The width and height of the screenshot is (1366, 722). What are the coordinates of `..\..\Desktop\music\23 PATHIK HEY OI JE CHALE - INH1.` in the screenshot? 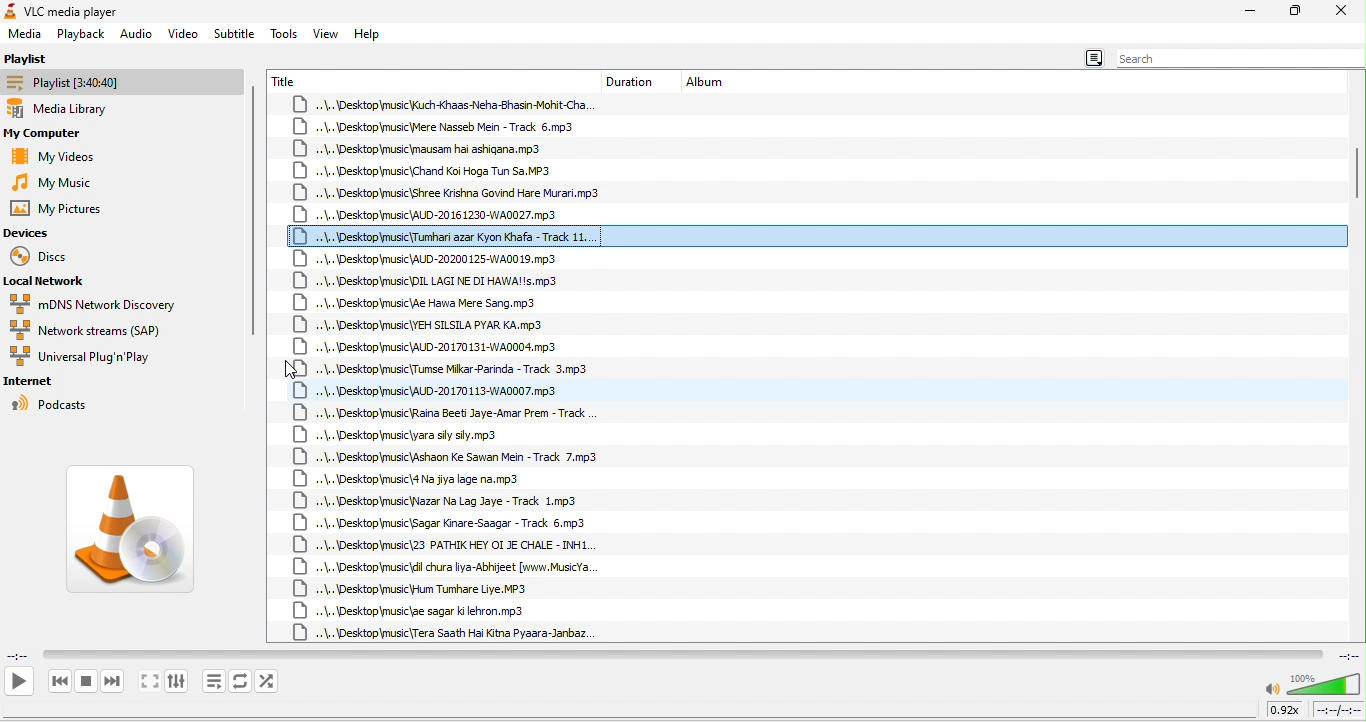 It's located at (445, 546).